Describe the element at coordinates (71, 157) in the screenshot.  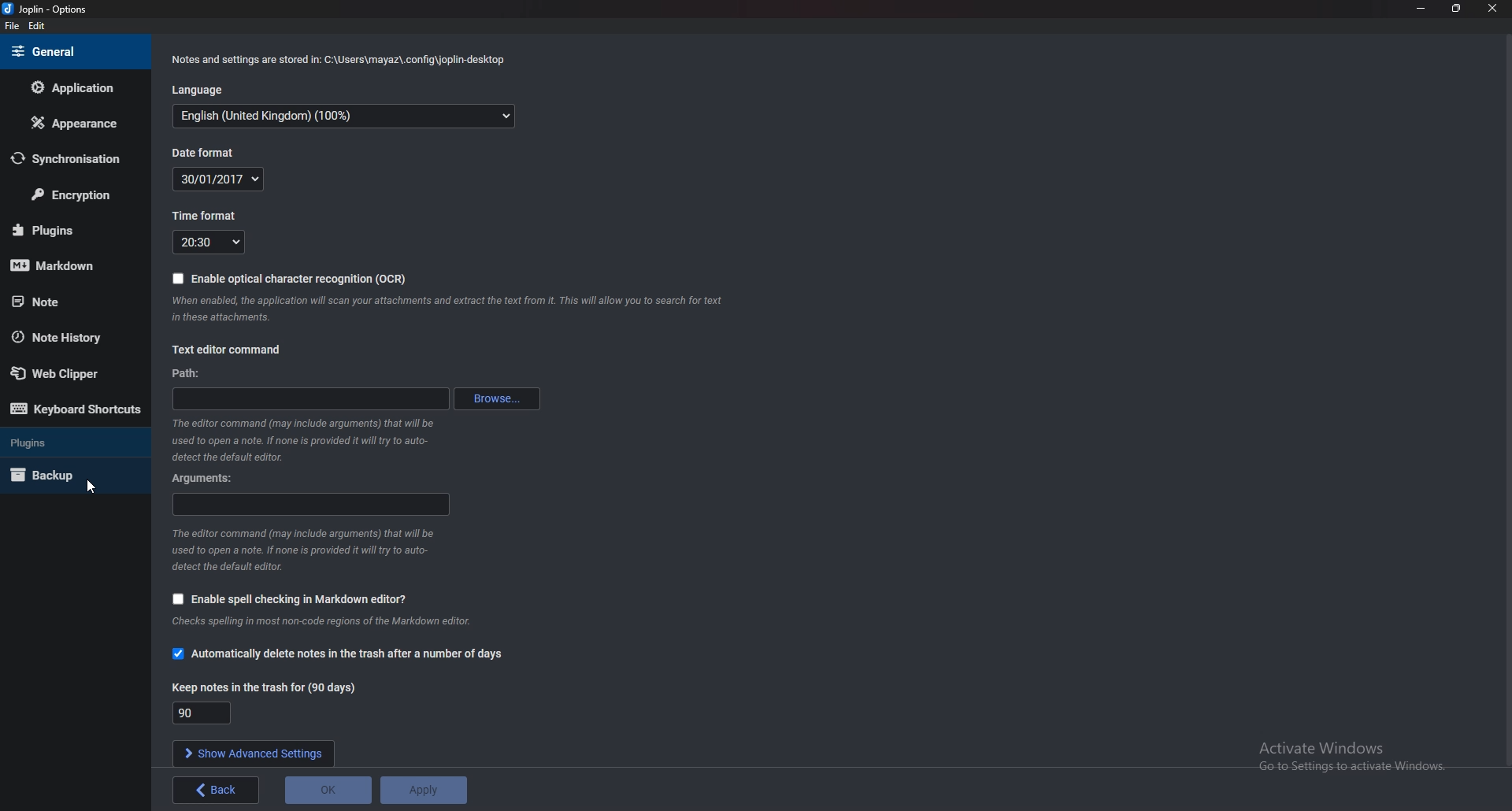
I see `Synchronization` at that location.